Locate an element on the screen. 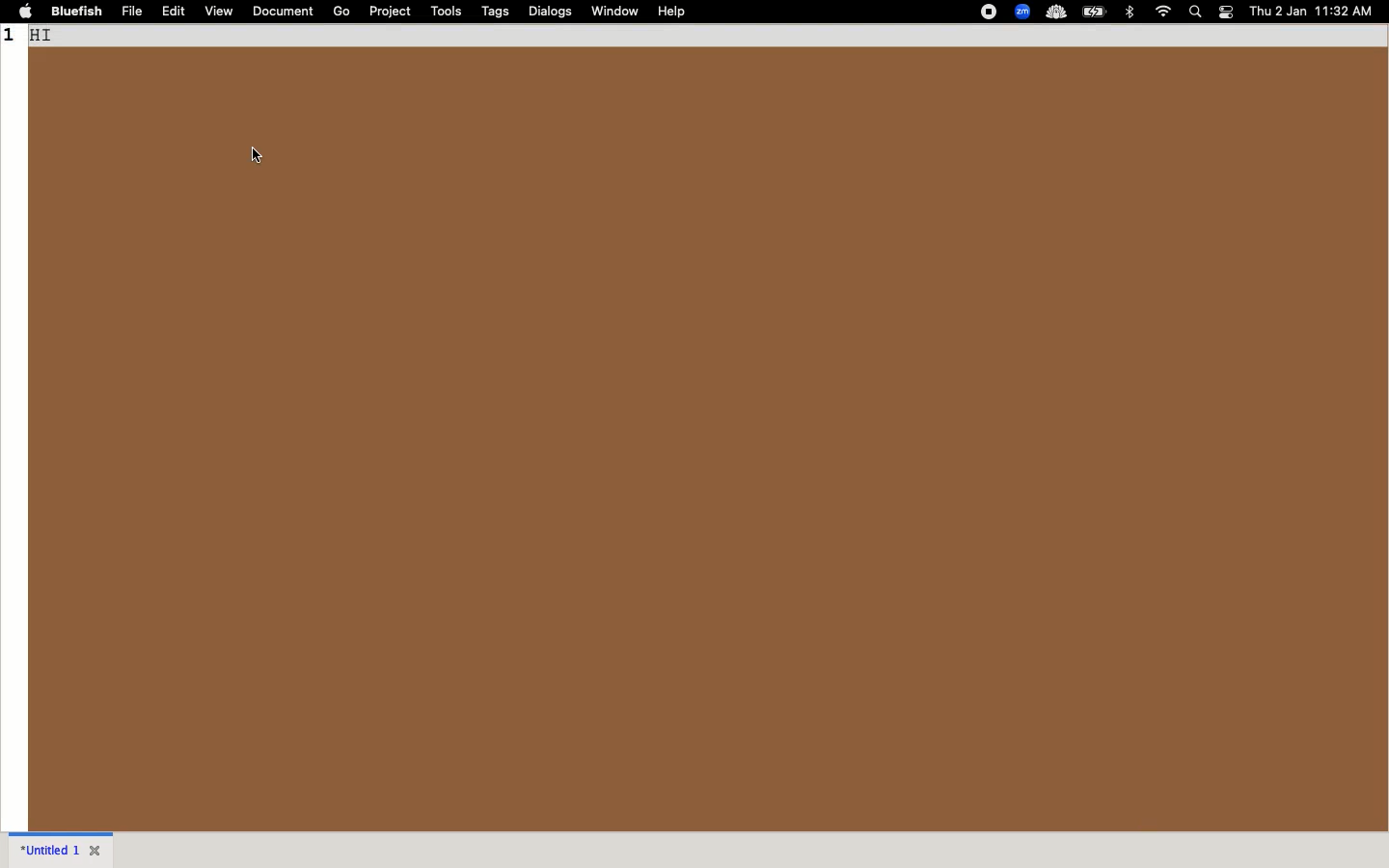 The width and height of the screenshot is (1389, 868). go is located at coordinates (341, 12).